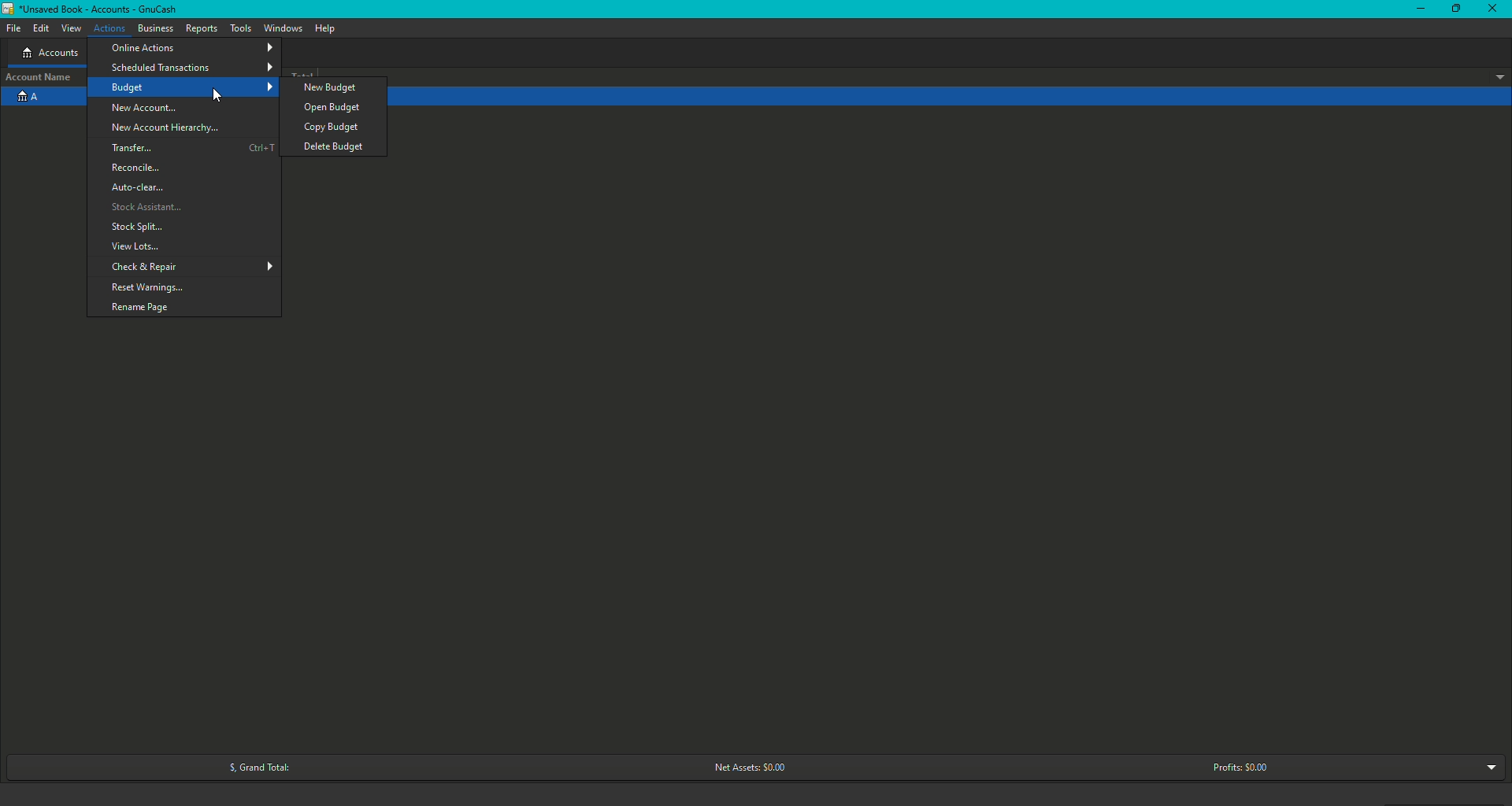 This screenshot has height=806, width=1512. Describe the element at coordinates (240, 28) in the screenshot. I see `Tools` at that location.